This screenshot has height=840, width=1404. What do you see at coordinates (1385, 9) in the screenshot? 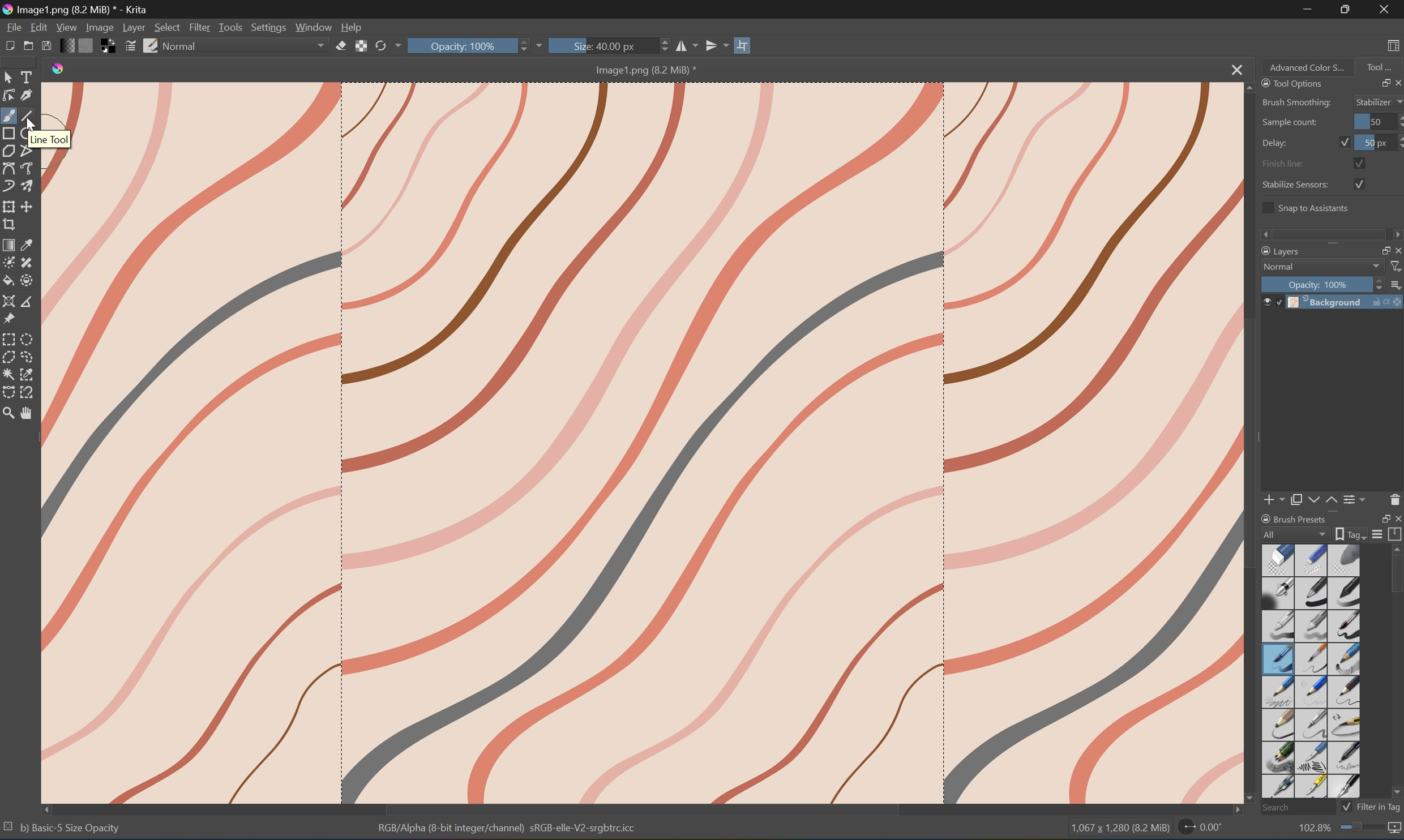
I see `Close` at bounding box center [1385, 9].